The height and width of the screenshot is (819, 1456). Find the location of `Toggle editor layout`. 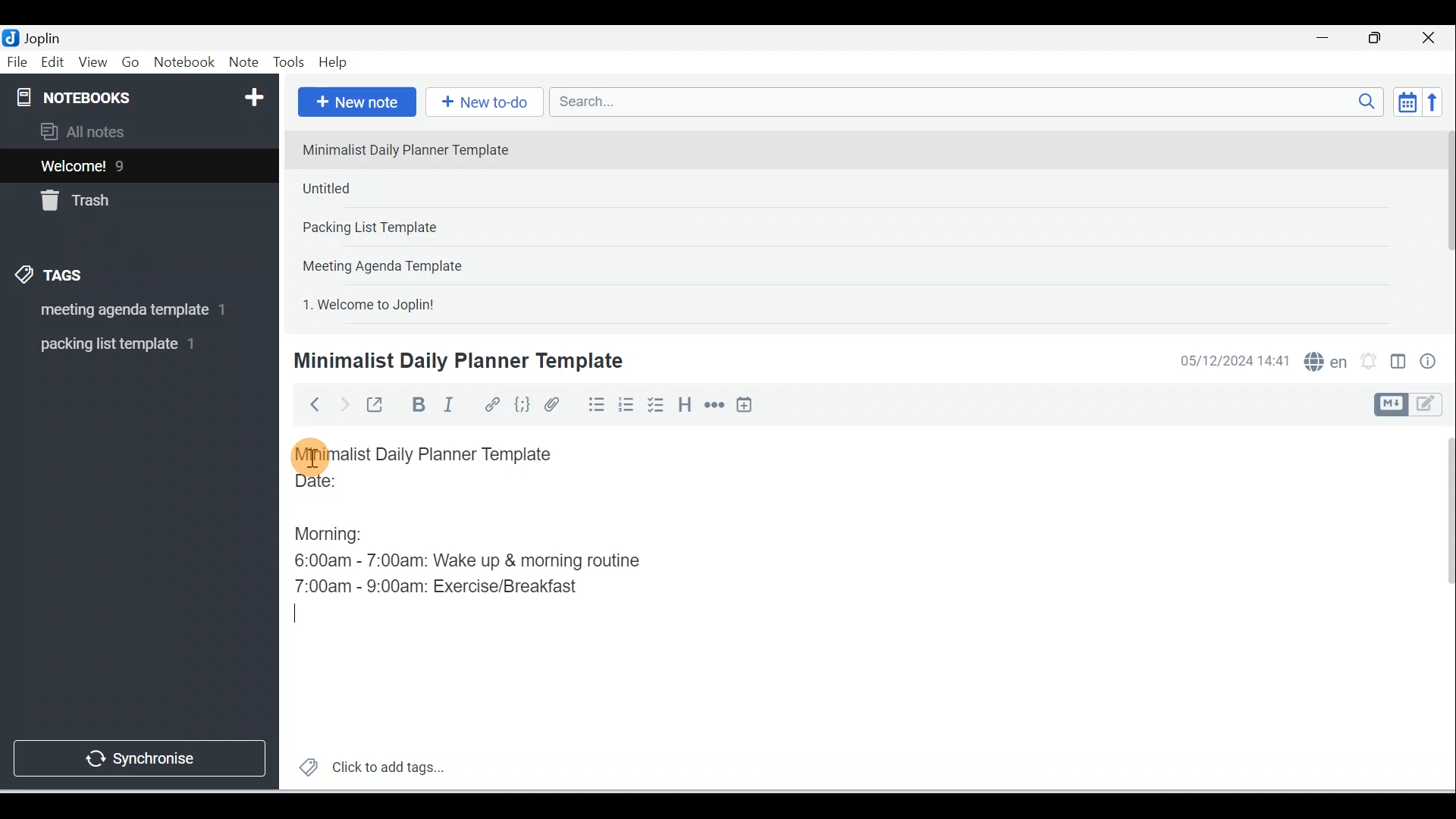

Toggle editor layout is located at coordinates (1414, 405).